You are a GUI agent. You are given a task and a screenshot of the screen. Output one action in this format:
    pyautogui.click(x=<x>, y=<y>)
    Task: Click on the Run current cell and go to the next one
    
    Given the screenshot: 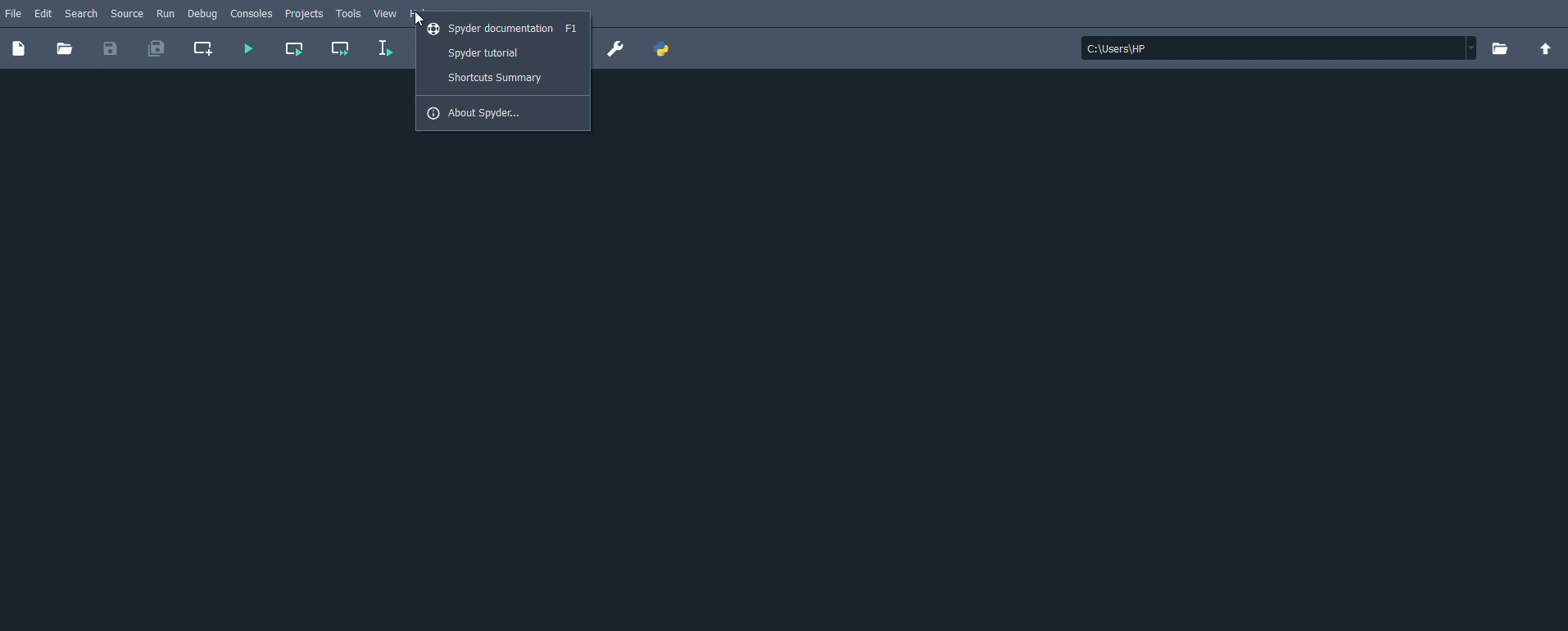 What is the action you would take?
    pyautogui.click(x=342, y=48)
    